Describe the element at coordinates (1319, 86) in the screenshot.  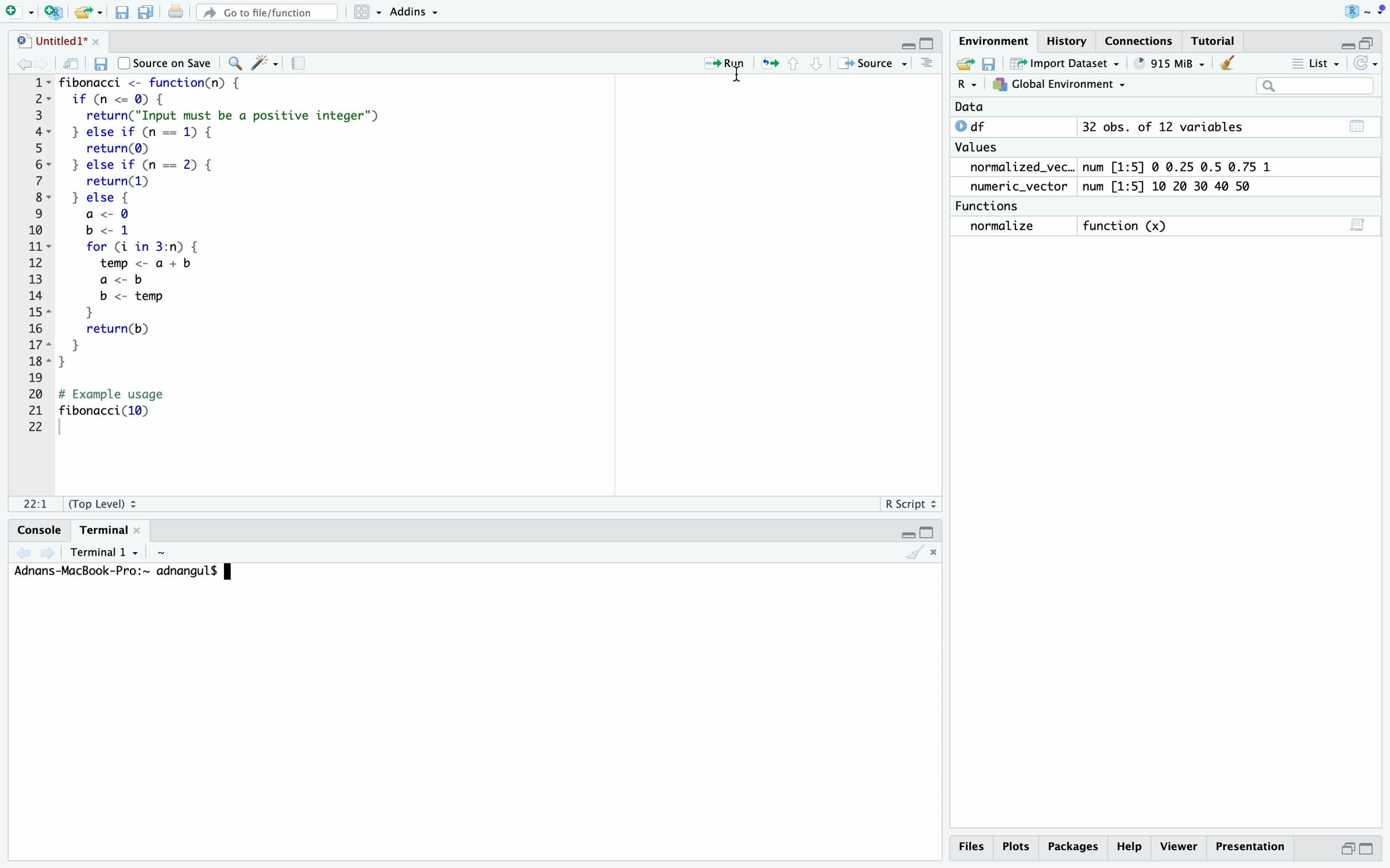
I see `search field` at that location.